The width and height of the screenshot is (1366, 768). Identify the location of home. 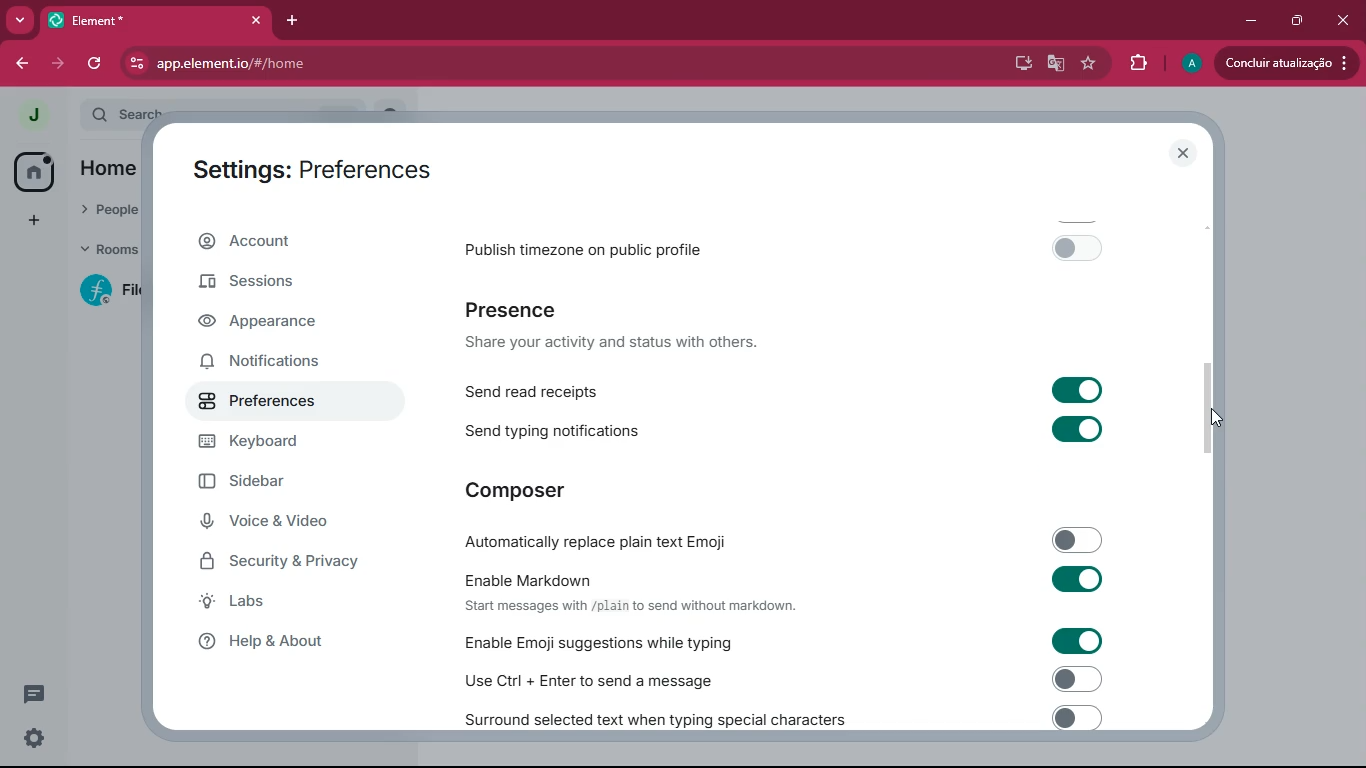
(28, 172).